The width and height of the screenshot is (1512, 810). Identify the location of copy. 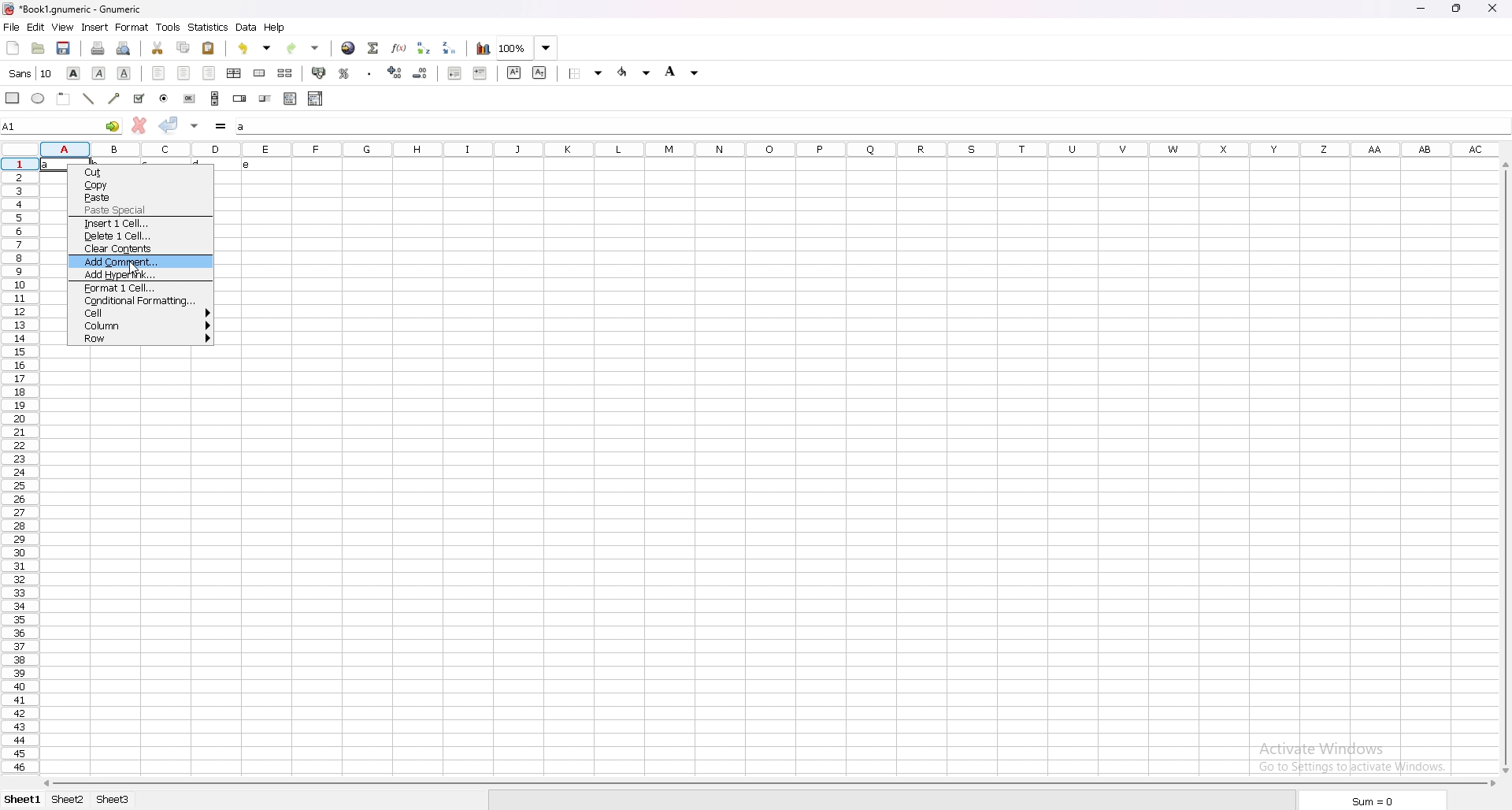
(141, 184).